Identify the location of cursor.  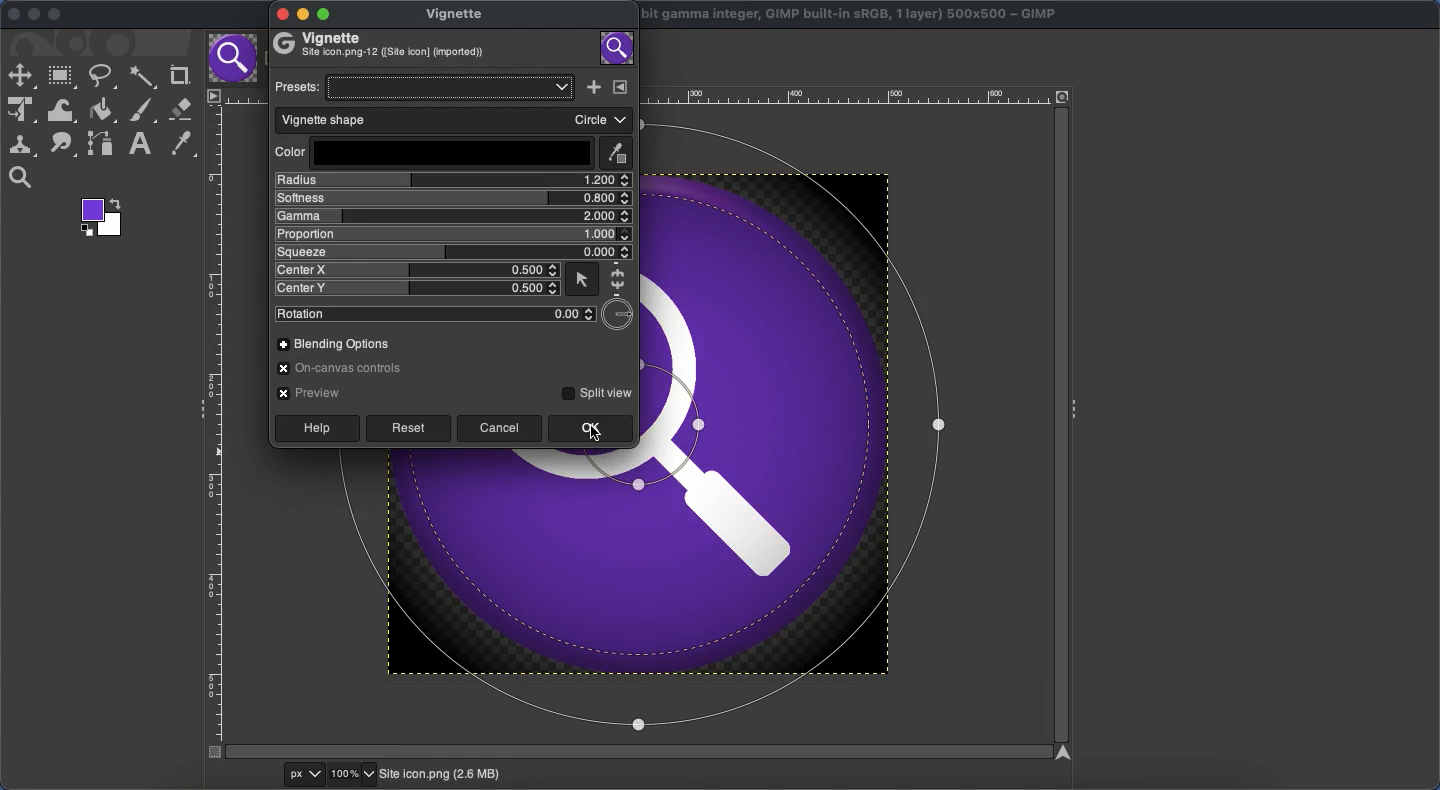
(597, 432).